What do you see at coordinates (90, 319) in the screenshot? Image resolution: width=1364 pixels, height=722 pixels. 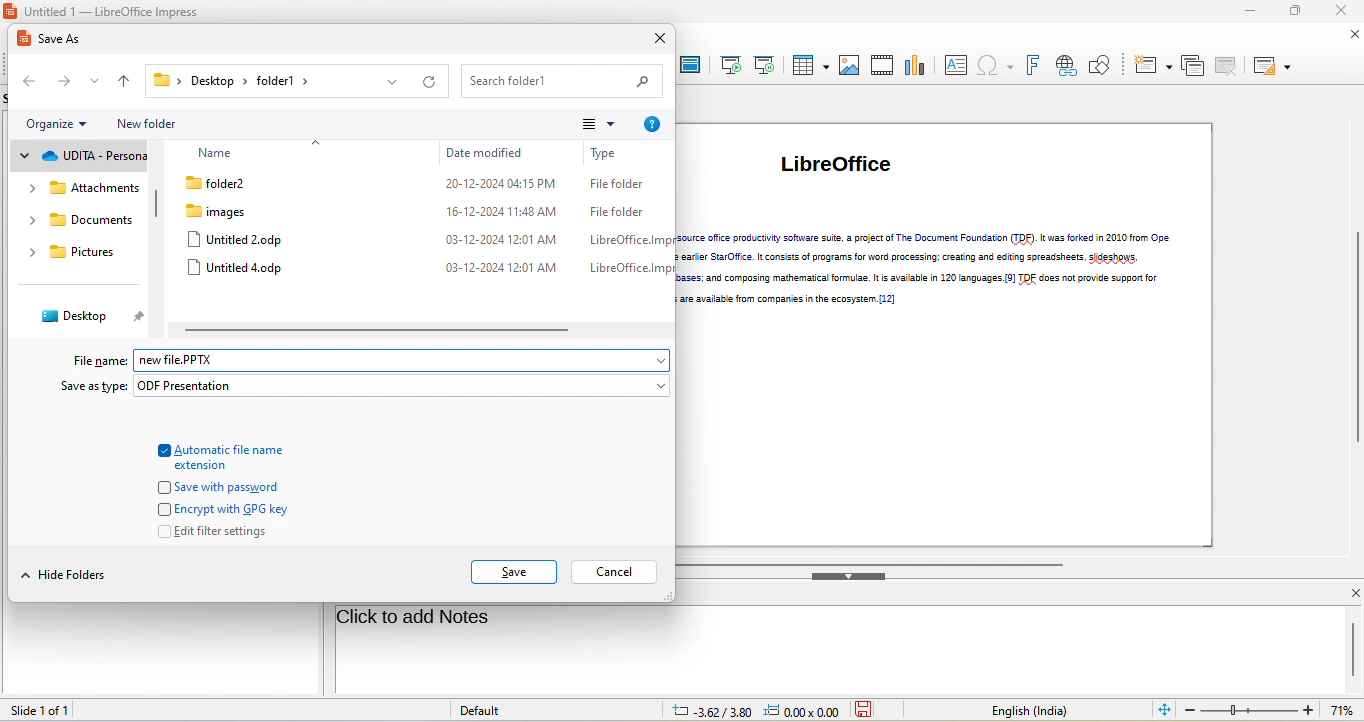 I see `desktop` at bounding box center [90, 319].